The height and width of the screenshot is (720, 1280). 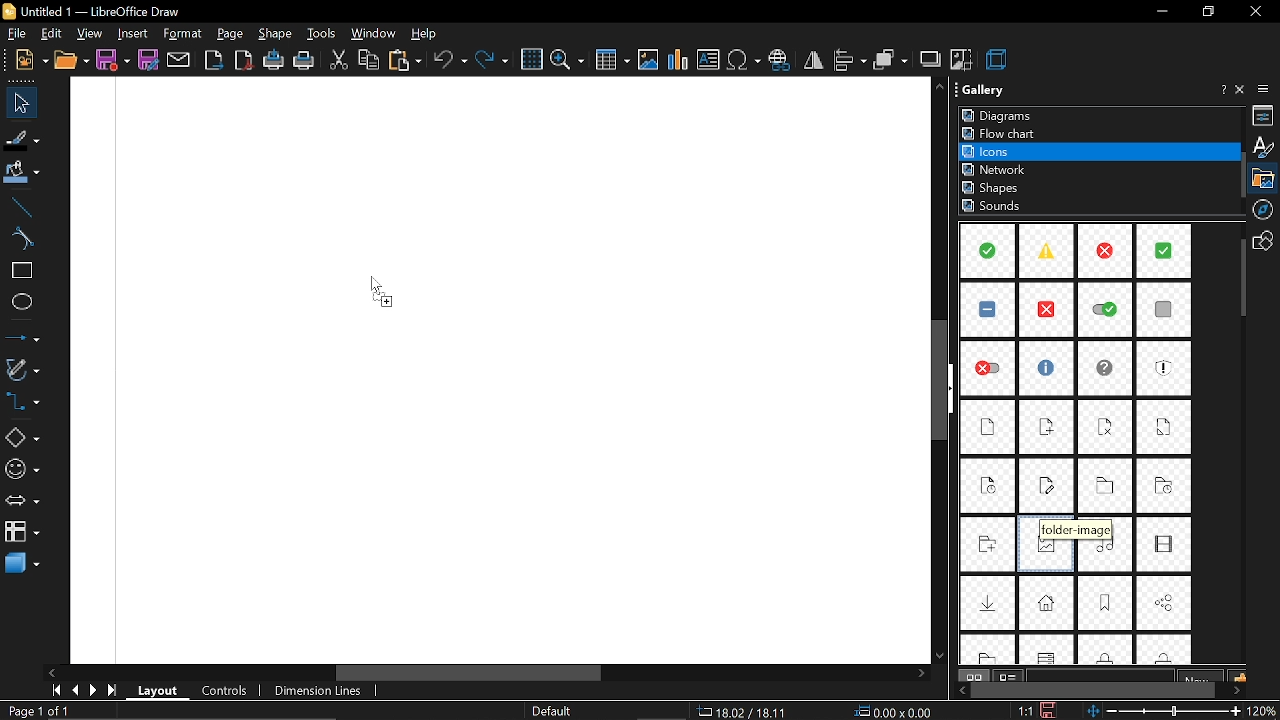 I want to click on insert text, so click(x=709, y=60).